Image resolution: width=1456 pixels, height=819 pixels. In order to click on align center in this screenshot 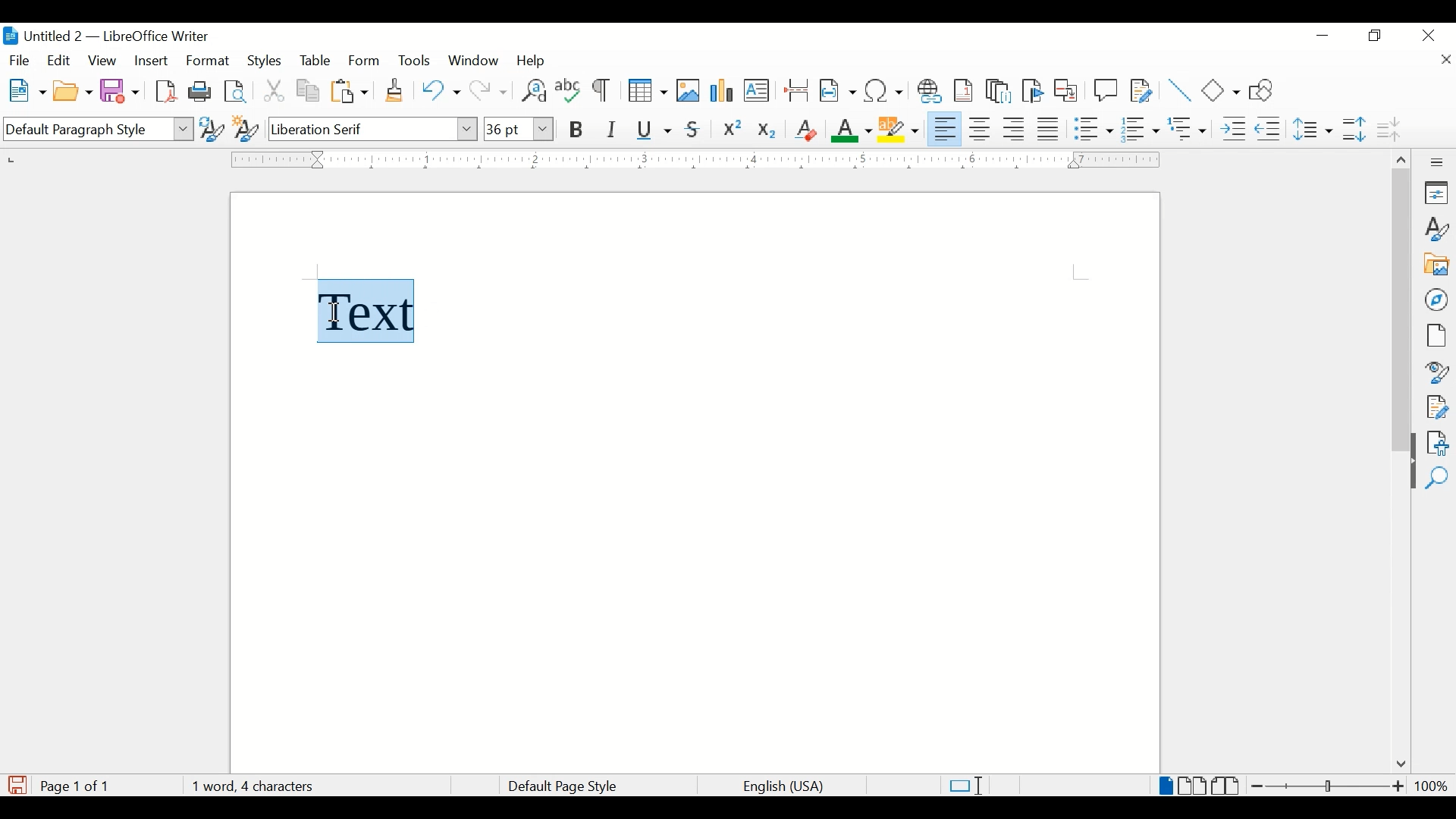, I will do `click(982, 129)`.